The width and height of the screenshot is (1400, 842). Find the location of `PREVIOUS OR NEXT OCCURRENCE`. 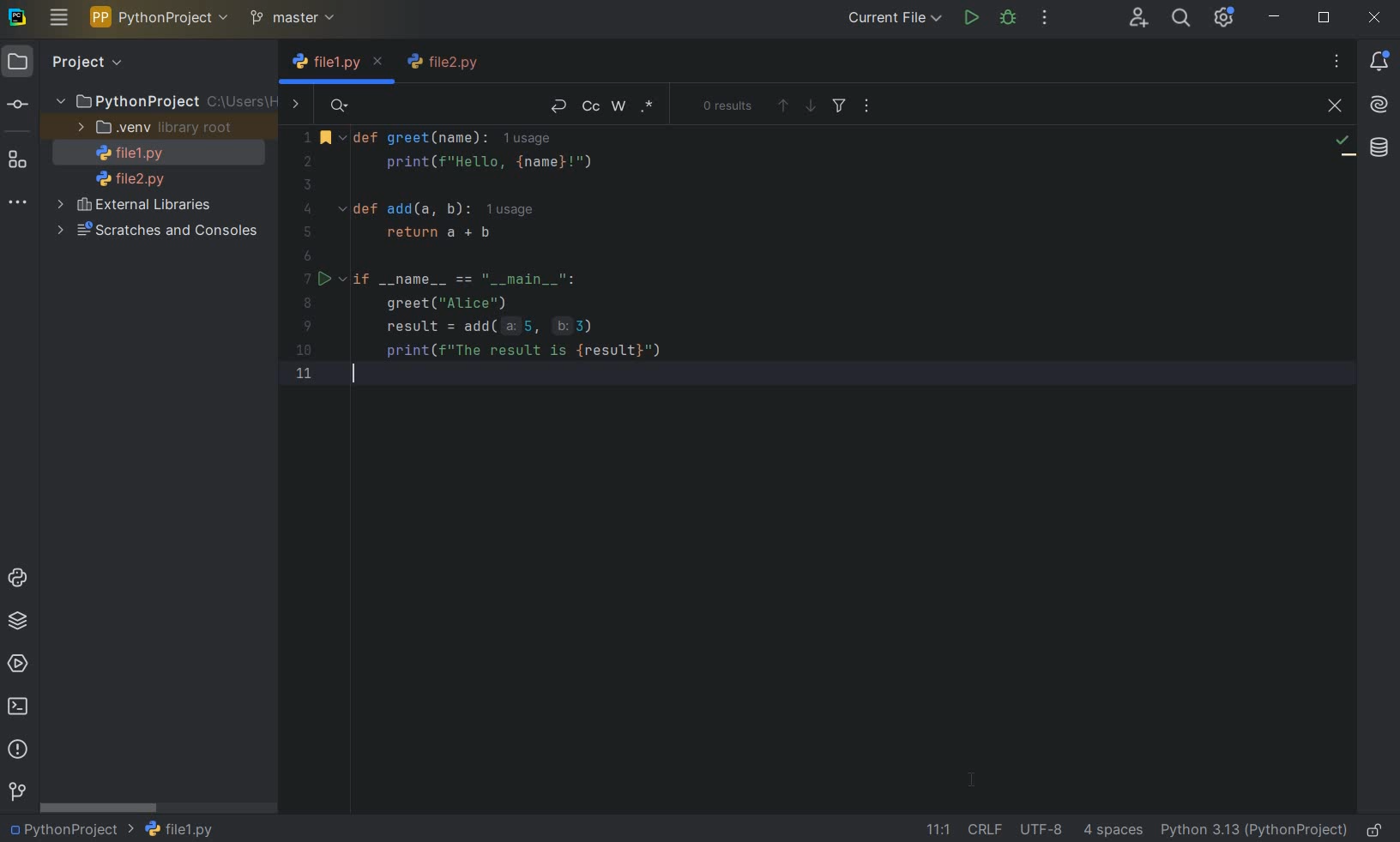

PREVIOUS OR NEXT OCCURRENCE is located at coordinates (794, 105).